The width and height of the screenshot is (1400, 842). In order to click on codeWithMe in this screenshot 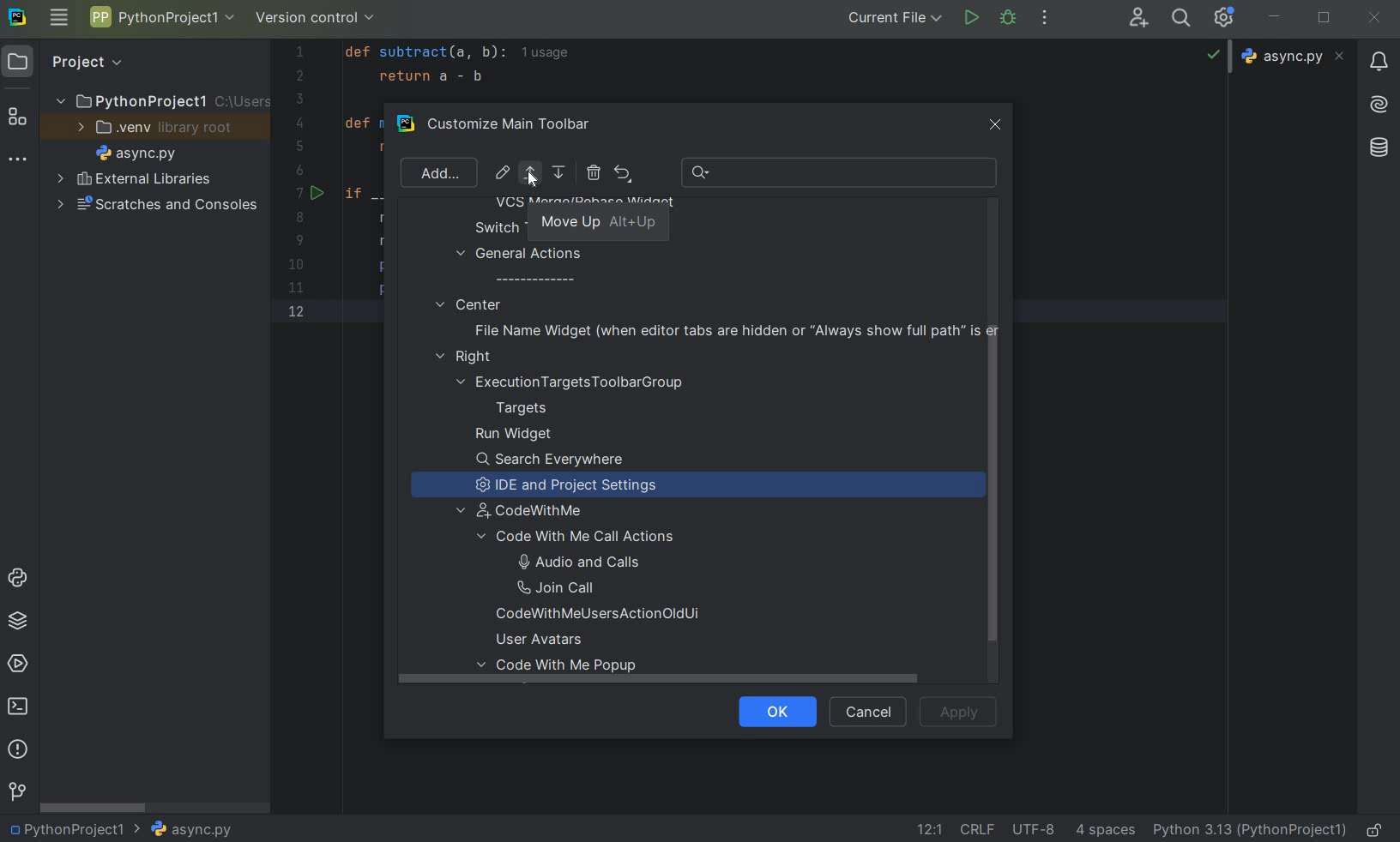, I will do `click(531, 512)`.